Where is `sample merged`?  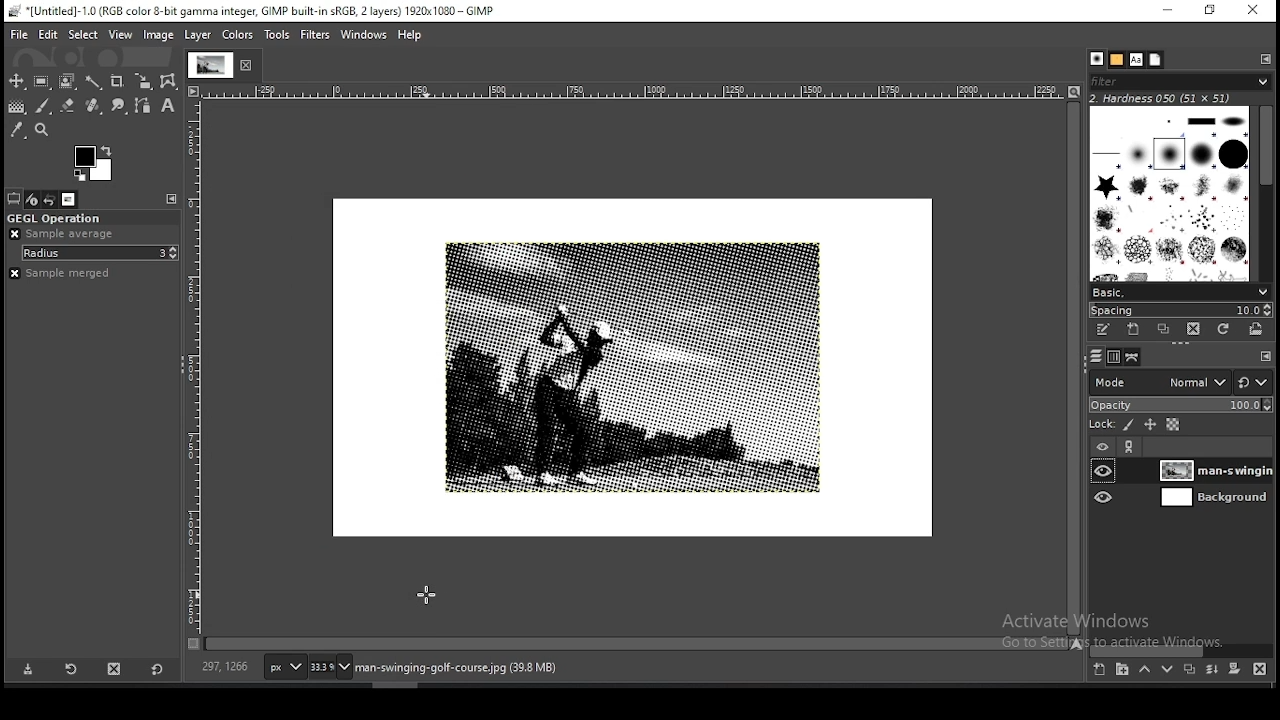
sample merged is located at coordinates (74, 275).